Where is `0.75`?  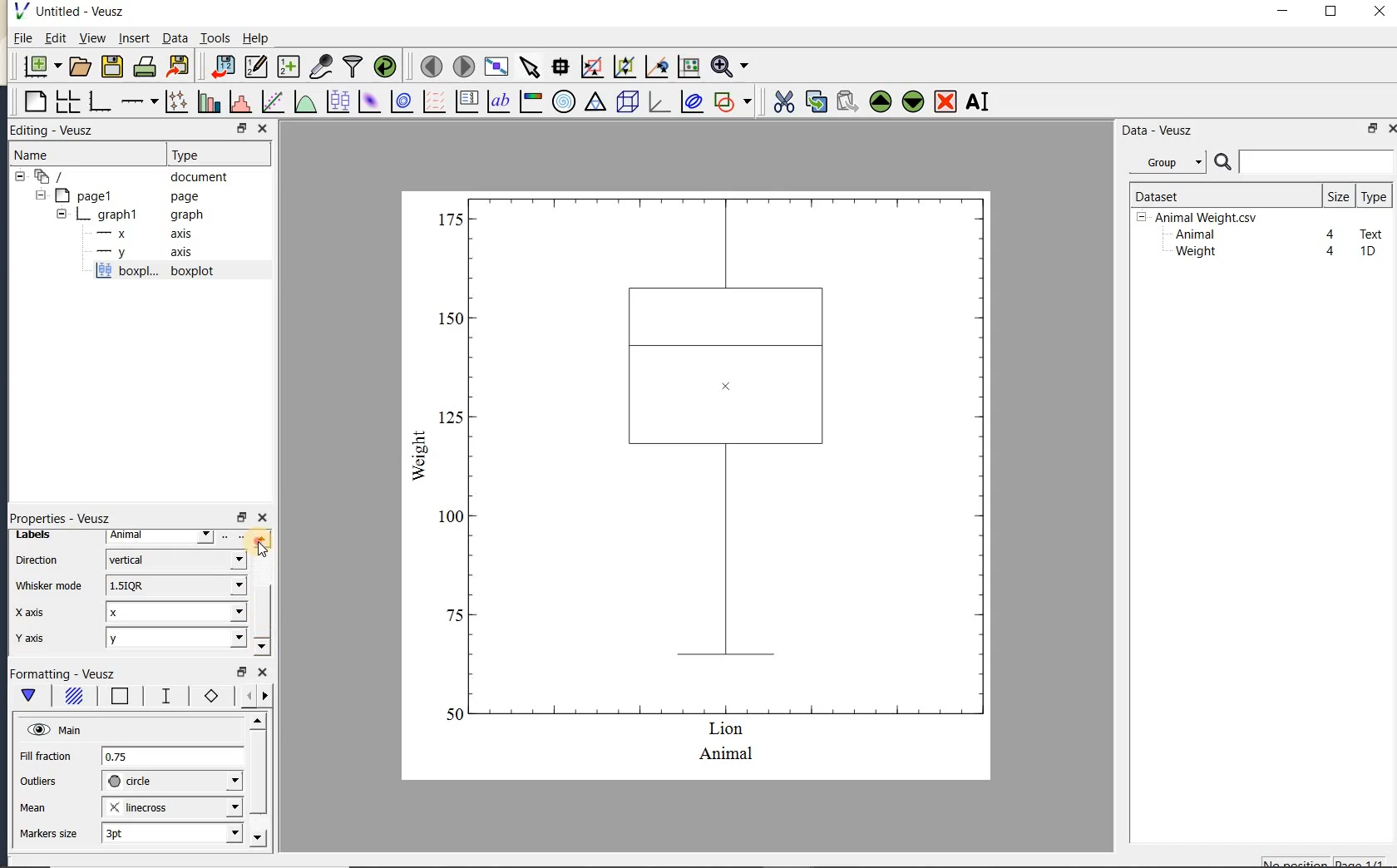 0.75 is located at coordinates (172, 757).